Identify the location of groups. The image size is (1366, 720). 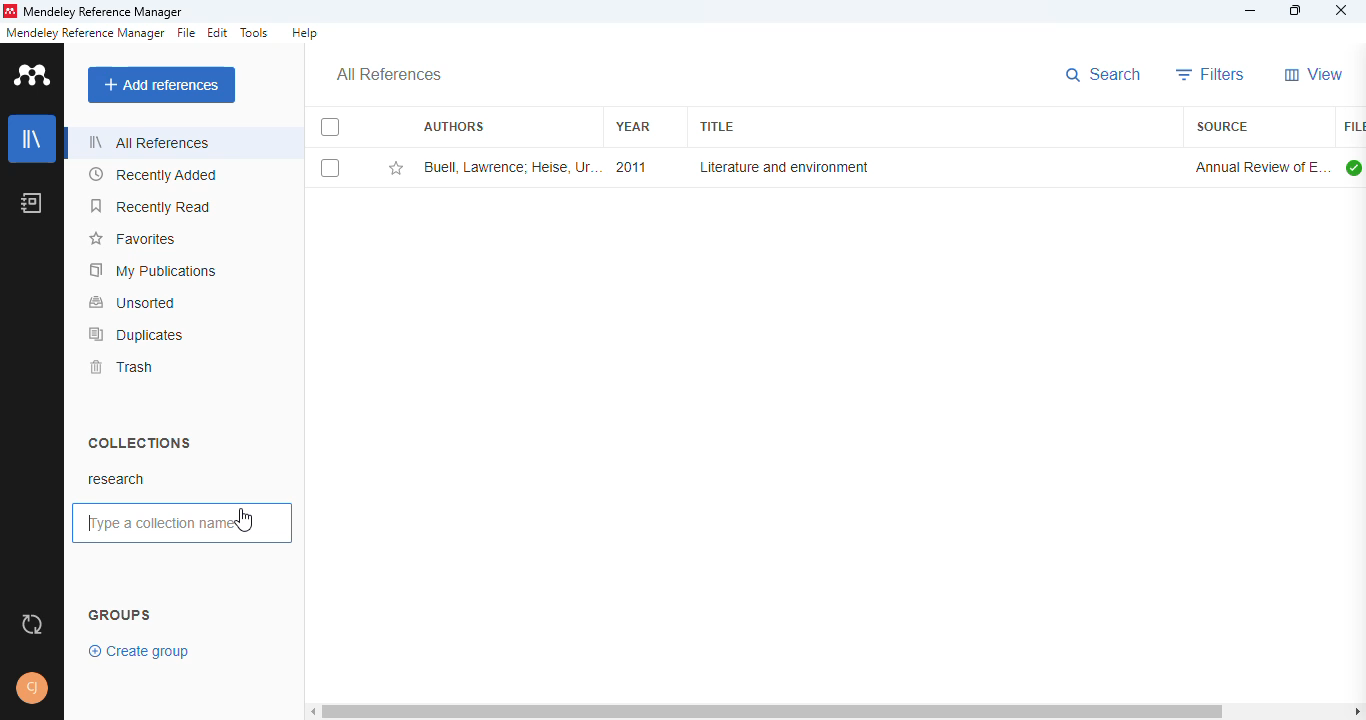
(120, 613).